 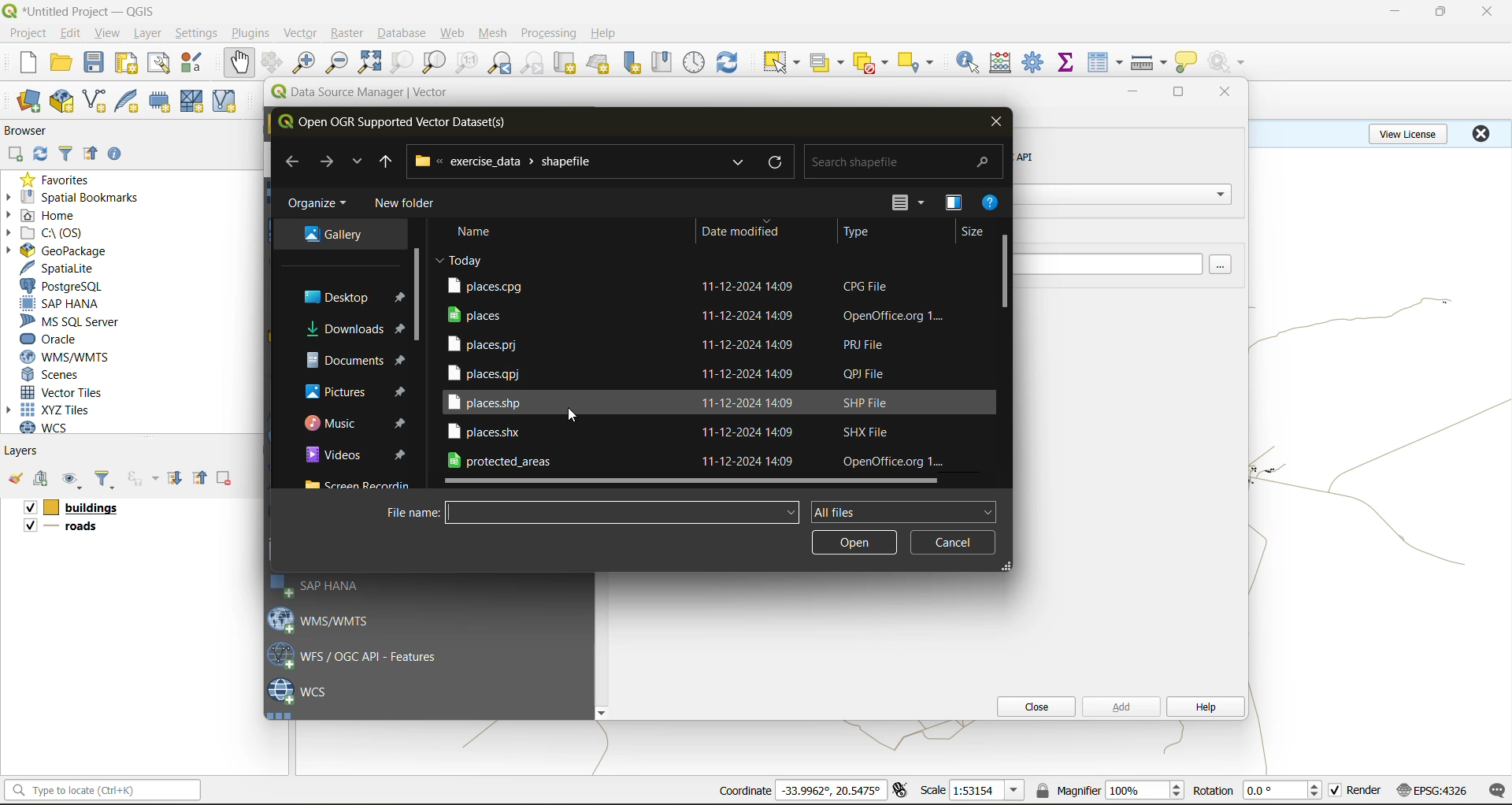 What do you see at coordinates (1366, 790) in the screenshot?
I see `render` at bounding box center [1366, 790].